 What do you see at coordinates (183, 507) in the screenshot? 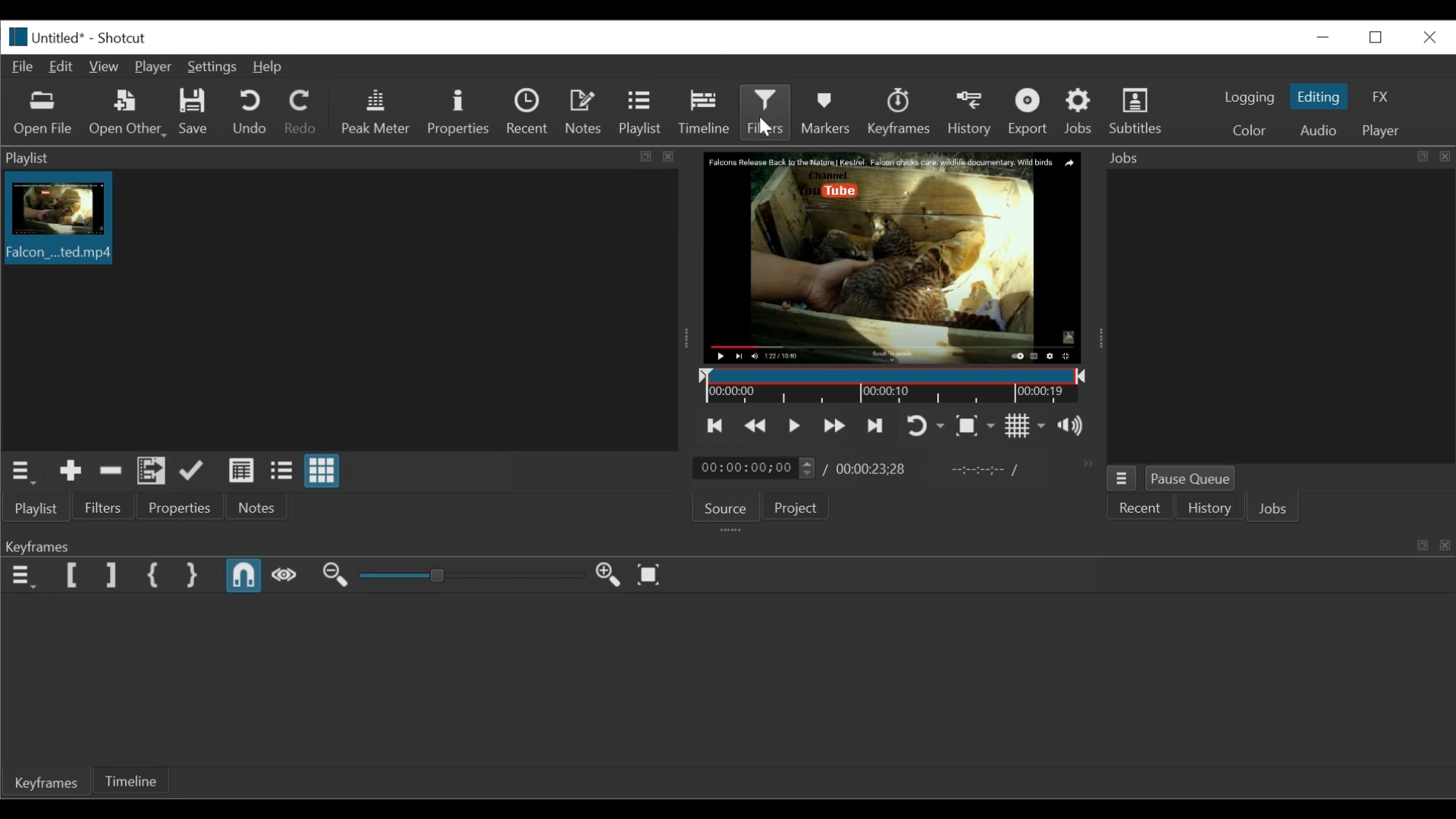
I see `Properties` at bounding box center [183, 507].